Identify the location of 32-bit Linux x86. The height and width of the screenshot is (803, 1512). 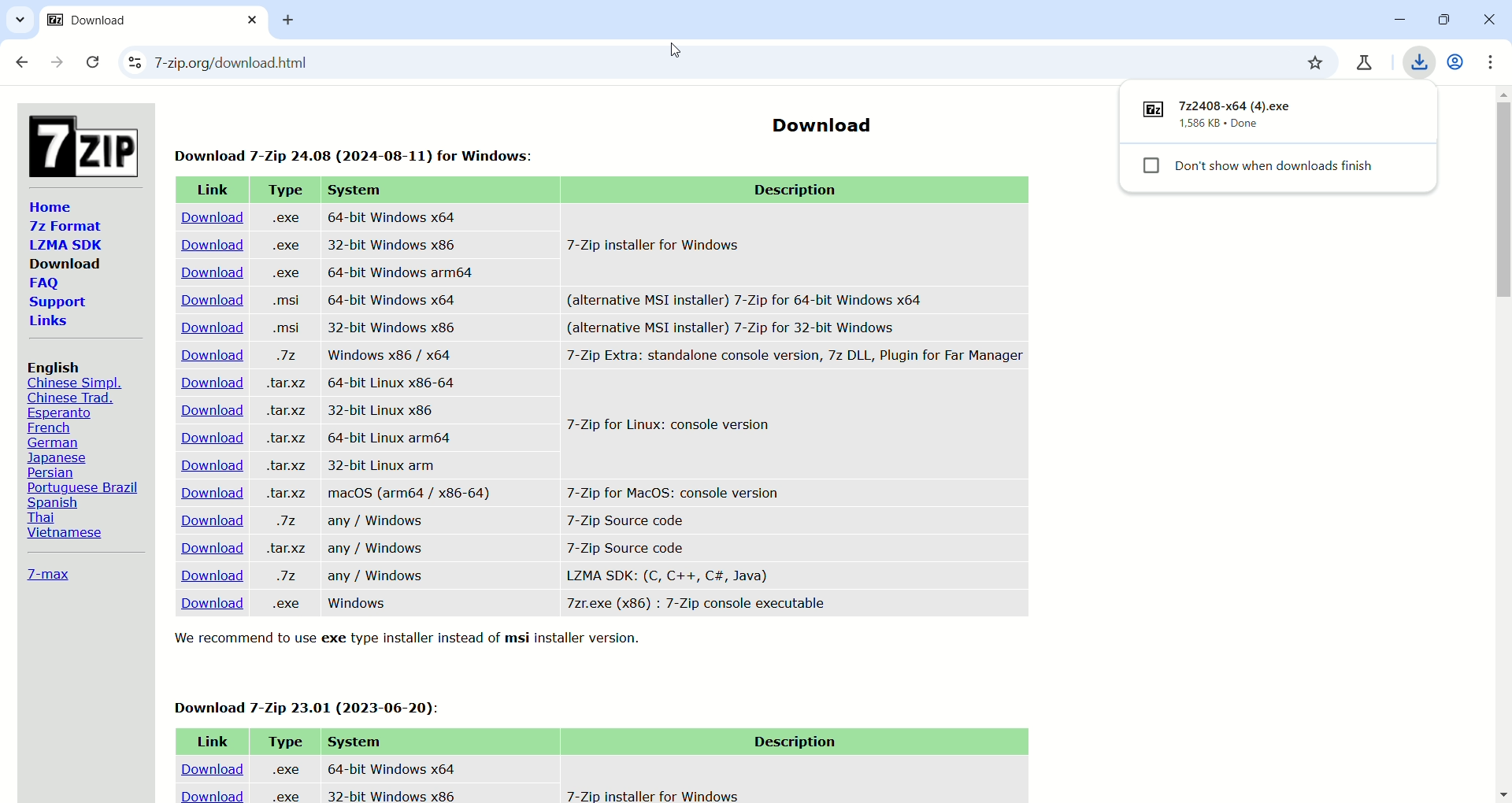
(384, 410).